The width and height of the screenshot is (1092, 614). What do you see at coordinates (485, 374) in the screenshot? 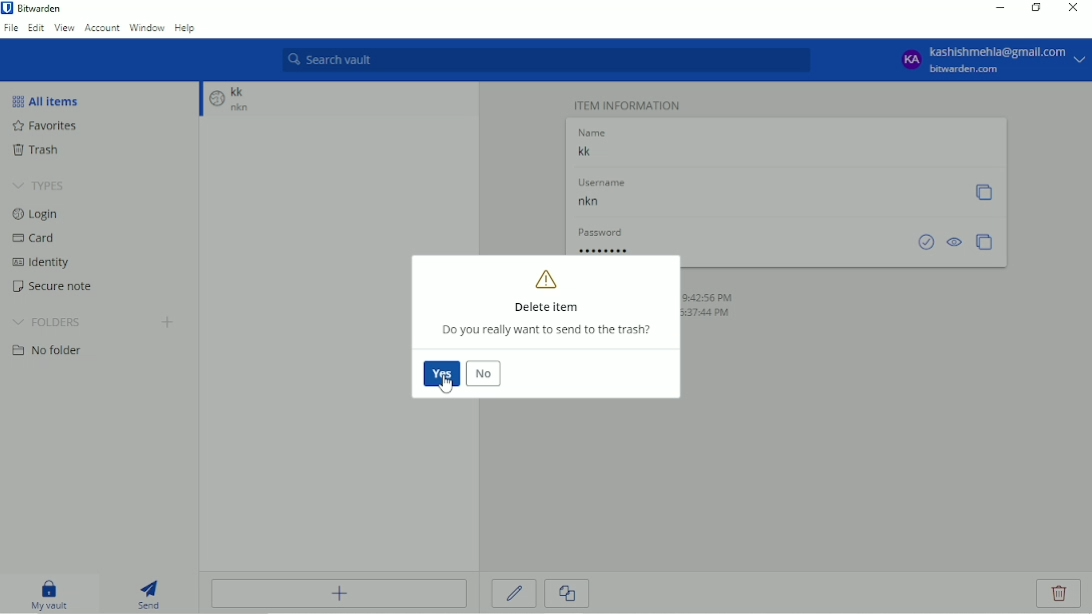
I see `No` at bounding box center [485, 374].